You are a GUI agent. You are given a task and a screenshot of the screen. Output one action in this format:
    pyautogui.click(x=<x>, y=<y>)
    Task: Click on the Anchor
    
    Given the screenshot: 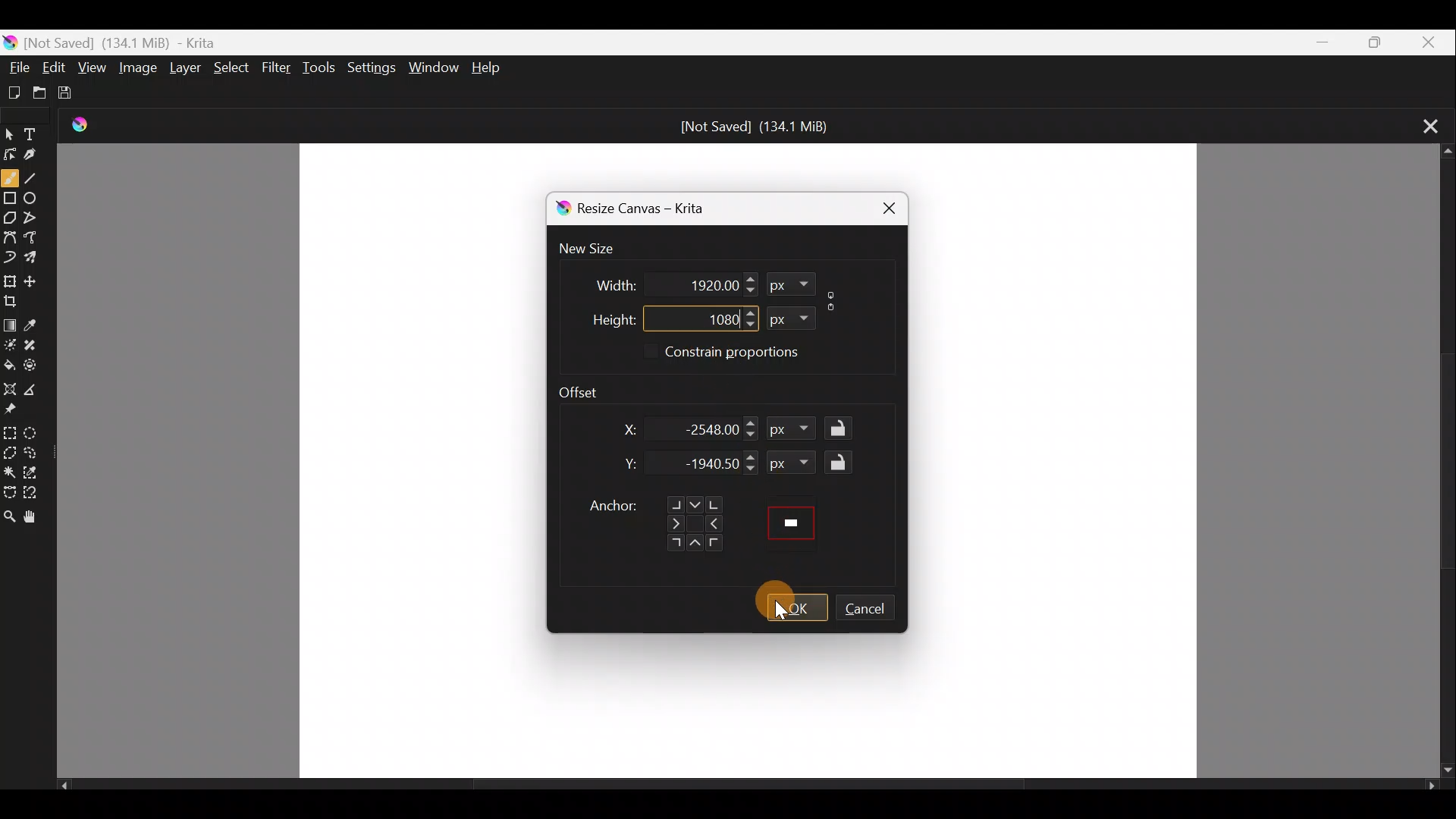 What is the action you would take?
    pyautogui.click(x=654, y=518)
    